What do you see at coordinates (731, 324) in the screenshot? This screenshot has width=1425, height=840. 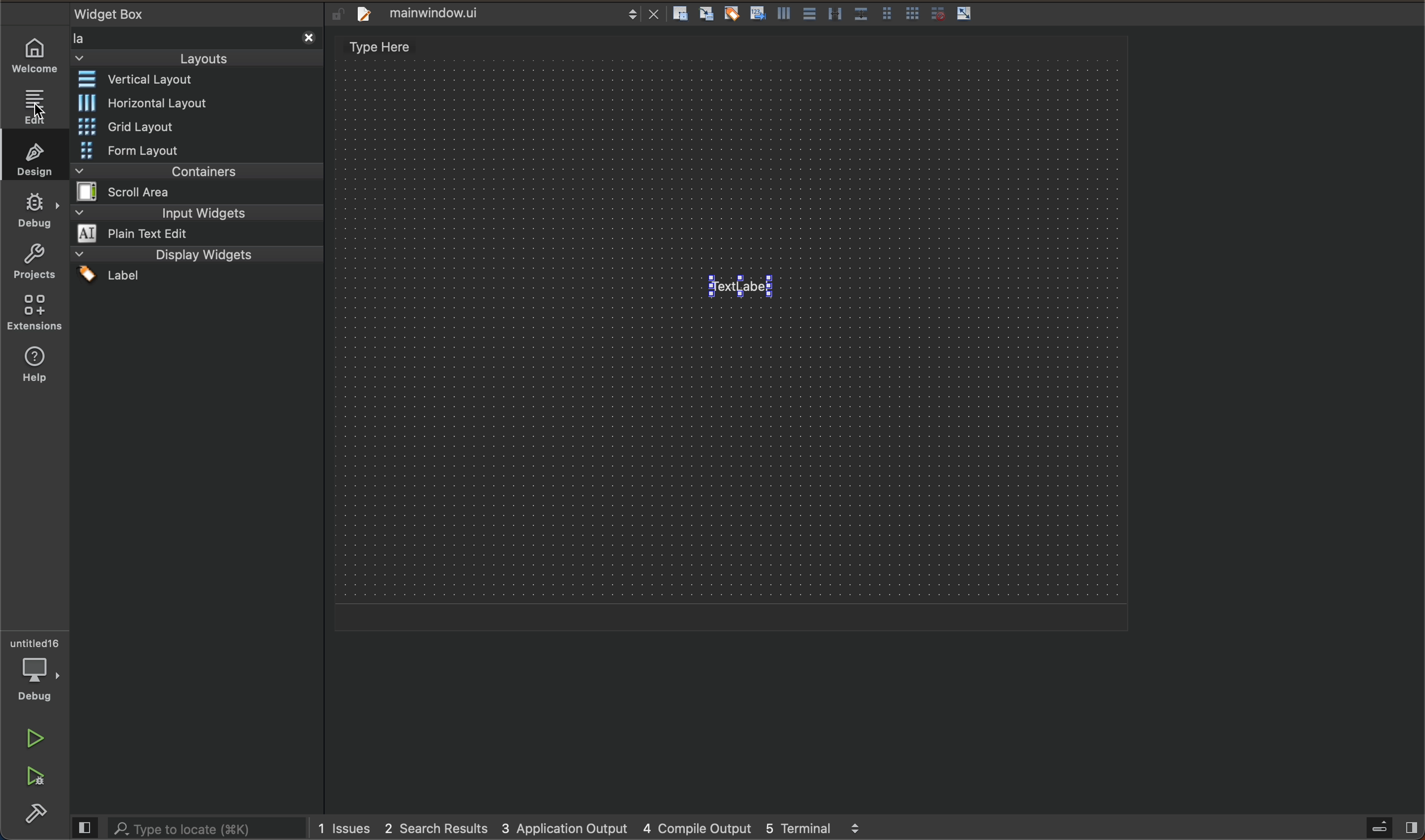 I see `design area` at bounding box center [731, 324].